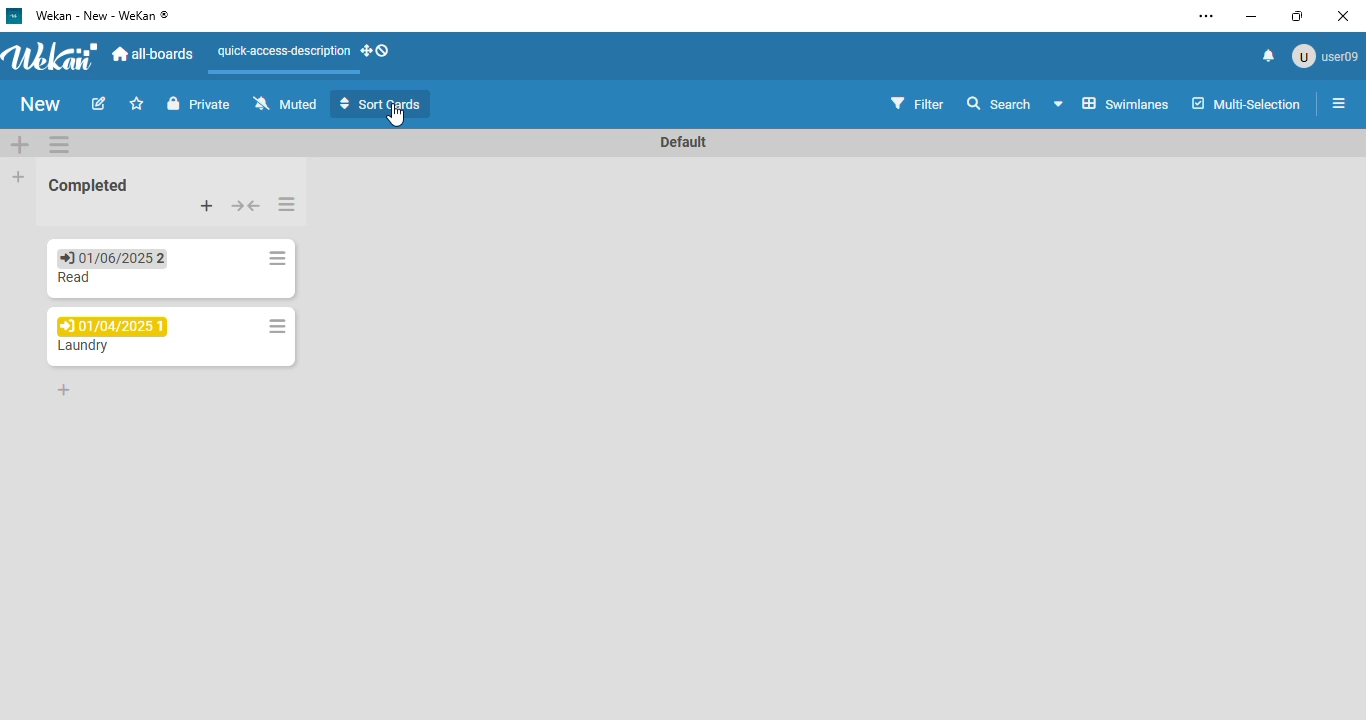 Image resolution: width=1366 pixels, height=720 pixels. I want to click on swimlane actions, so click(60, 143).